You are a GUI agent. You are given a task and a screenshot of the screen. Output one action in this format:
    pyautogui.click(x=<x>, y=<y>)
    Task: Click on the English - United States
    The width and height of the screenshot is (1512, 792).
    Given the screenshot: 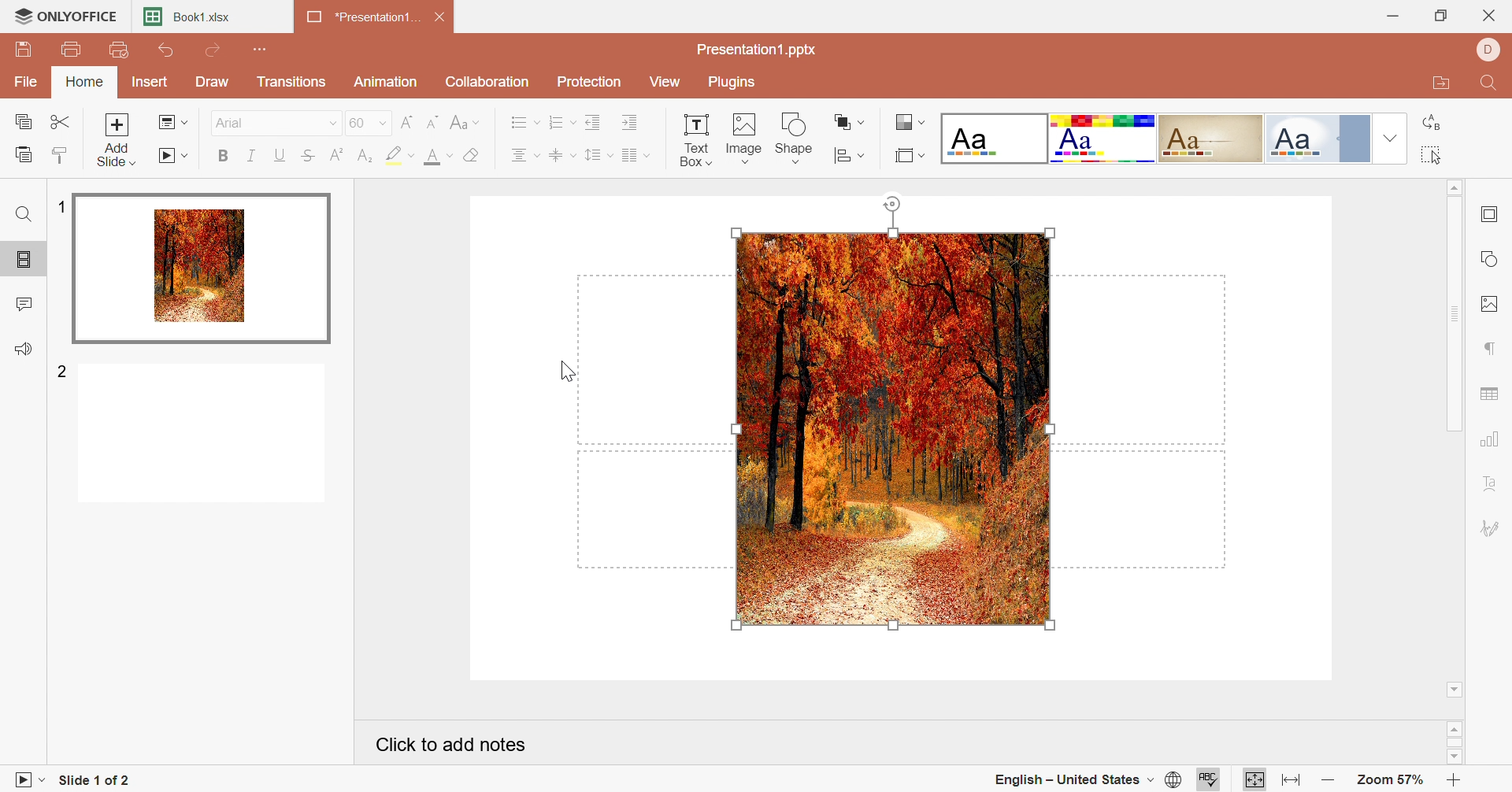 What is the action you would take?
    pyautogui.click(x=1068, y=780)
    